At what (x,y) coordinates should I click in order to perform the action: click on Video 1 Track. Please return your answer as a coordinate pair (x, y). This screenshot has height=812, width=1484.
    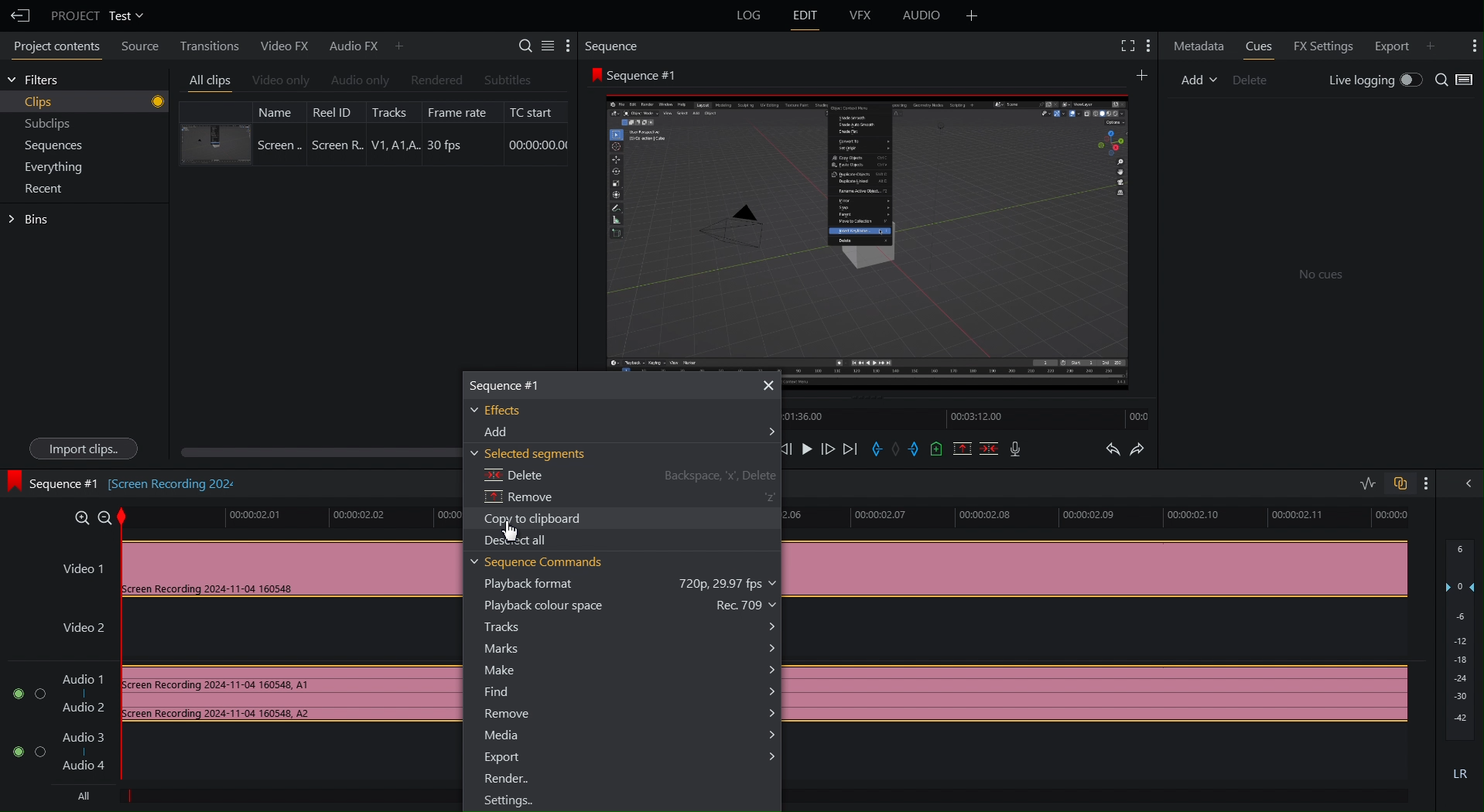
    Looking at the image, I should click on (256, 565).